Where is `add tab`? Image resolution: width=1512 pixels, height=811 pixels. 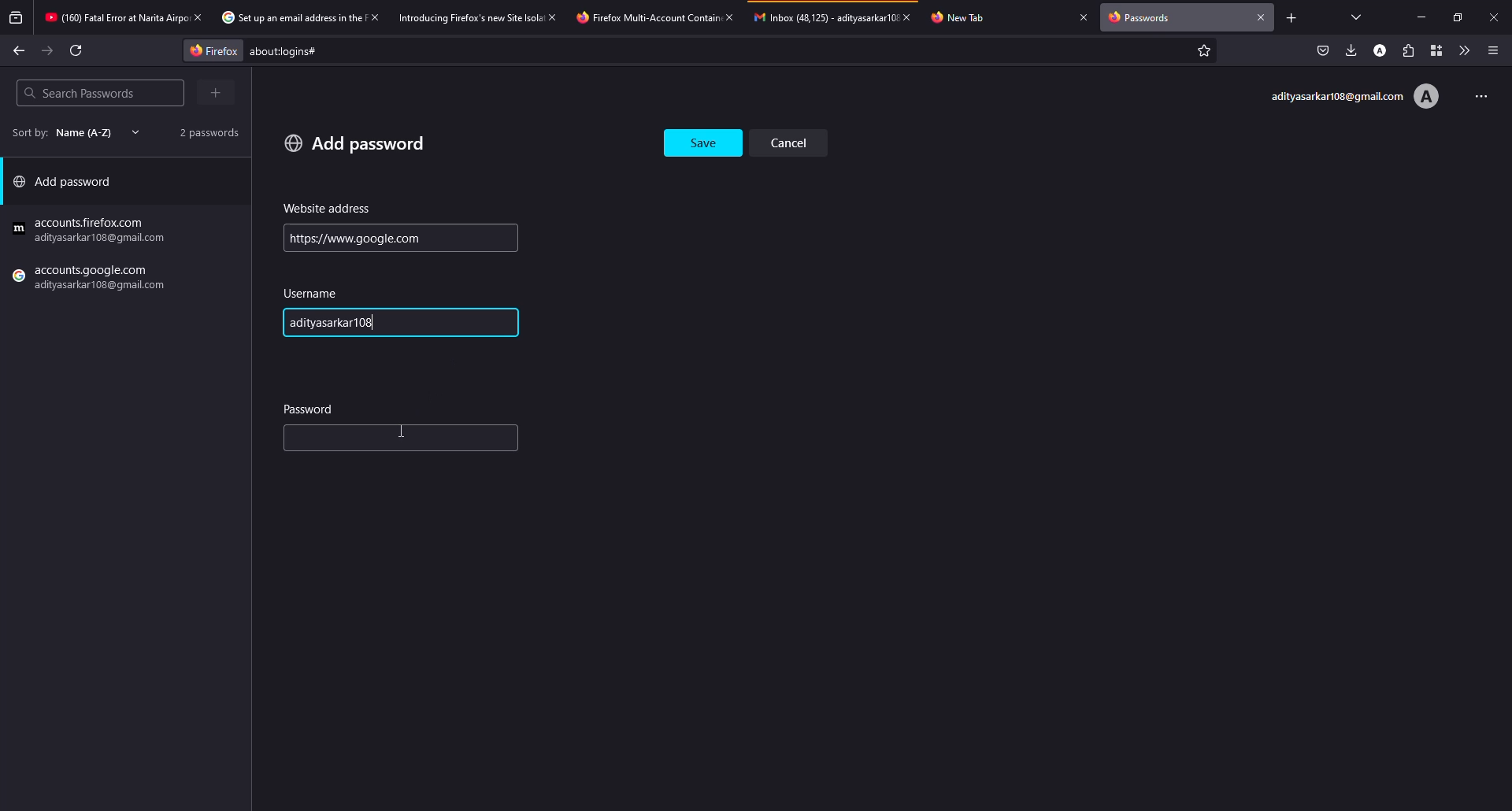 add tab is located at coordinates (1291, 17).